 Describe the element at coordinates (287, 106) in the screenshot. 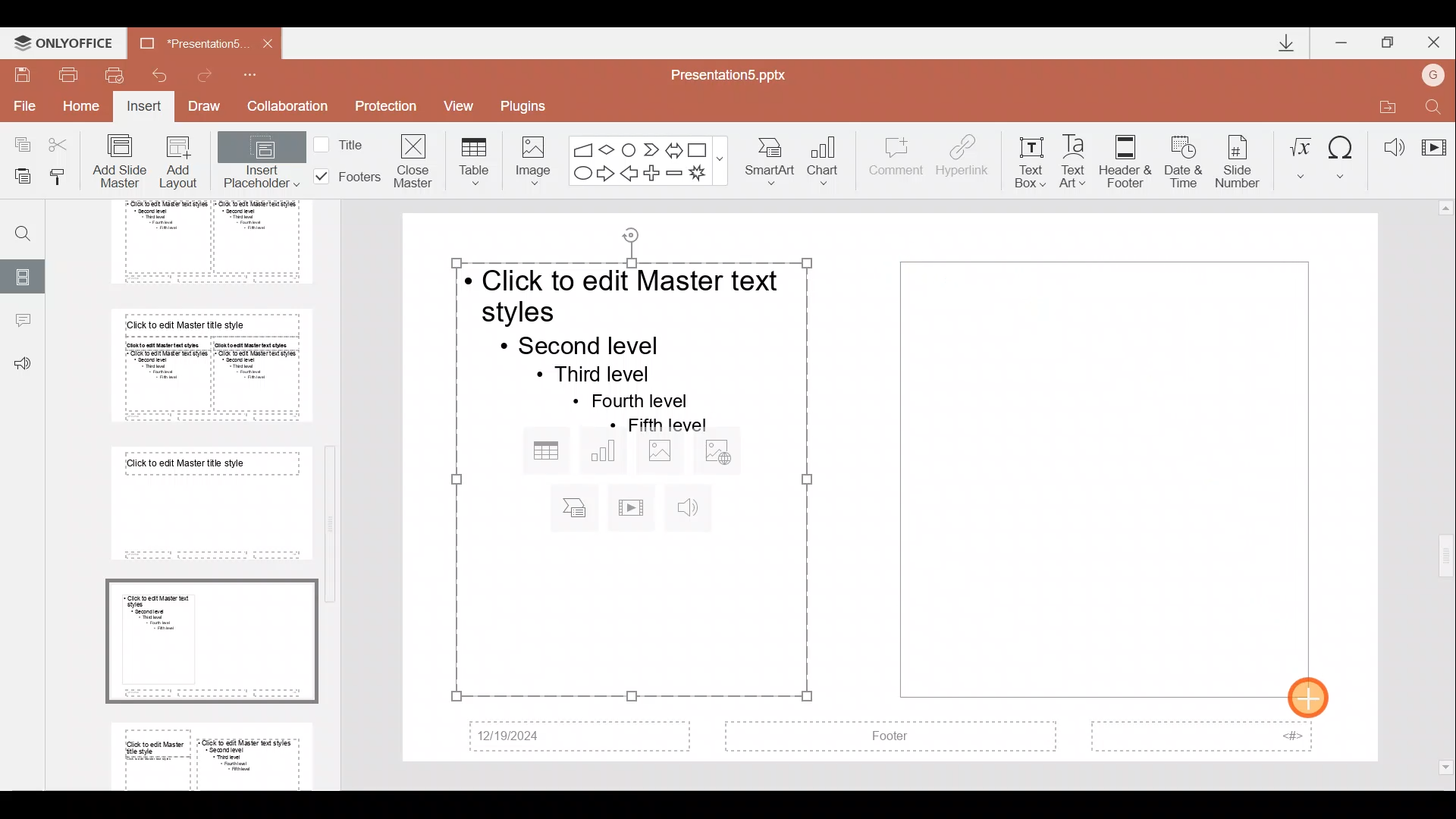

I see `Collaboration` at that location.